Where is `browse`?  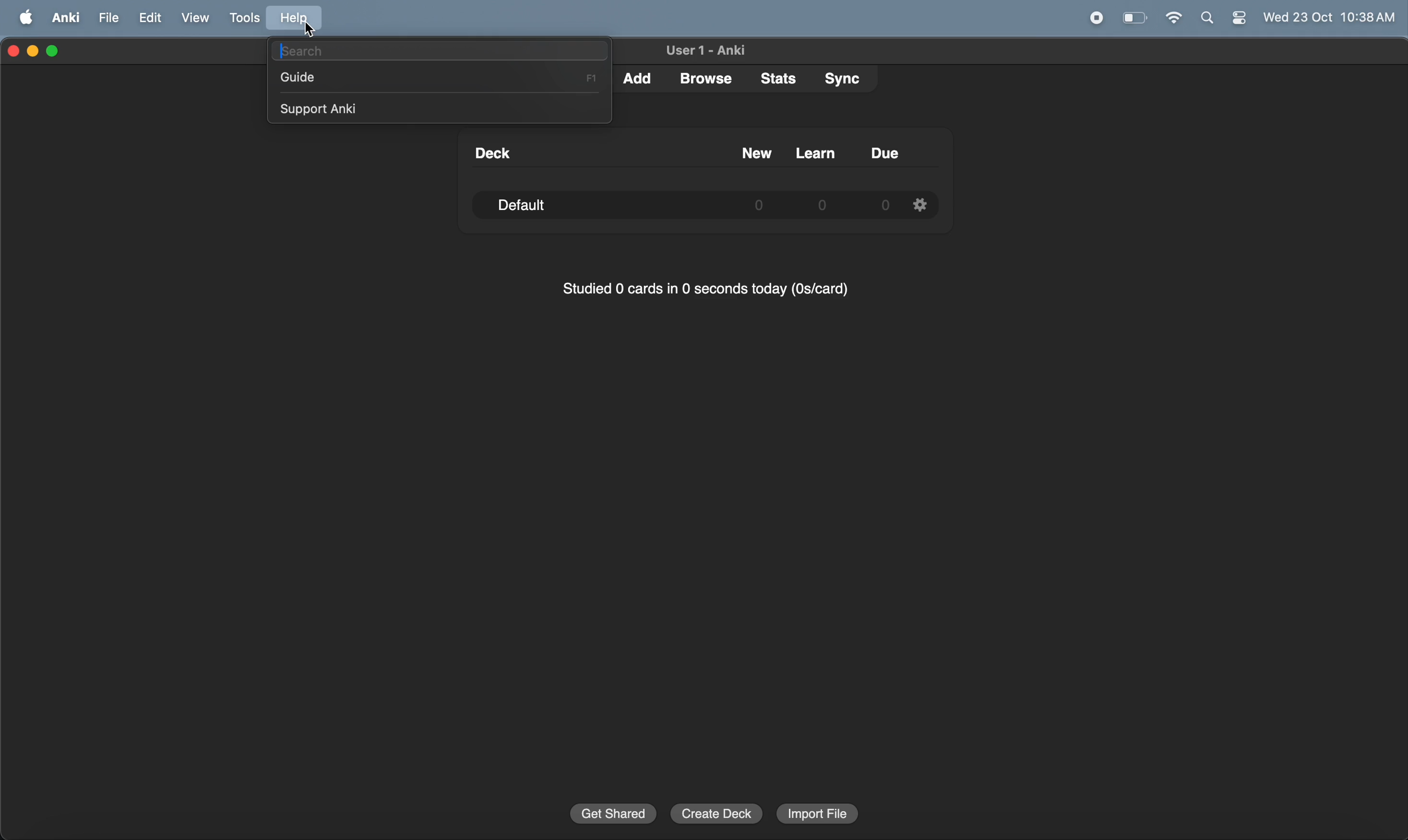 browse is located at coordinates (703, 78).